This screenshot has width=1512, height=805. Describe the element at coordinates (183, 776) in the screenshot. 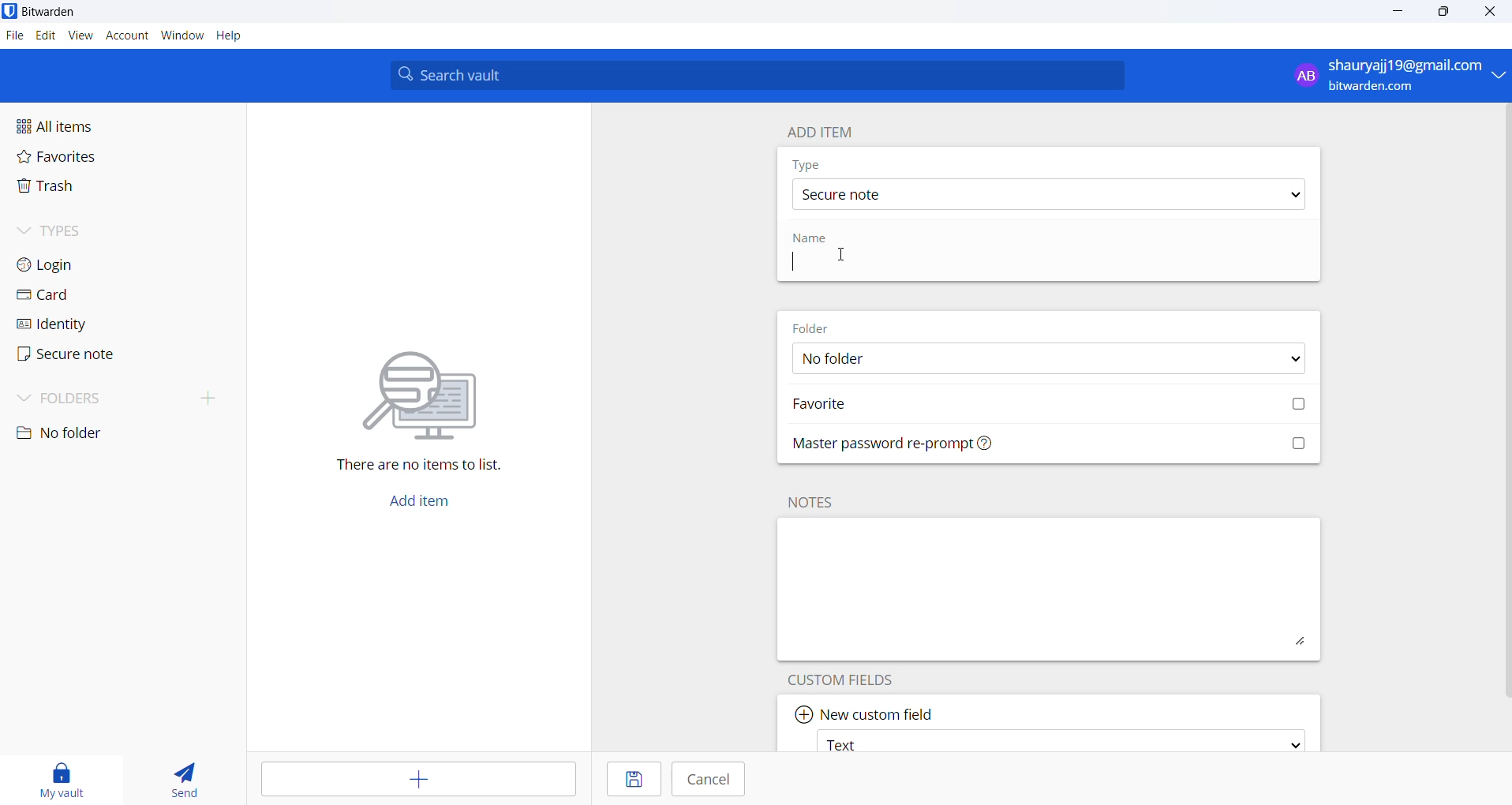

I see `send` at that location.